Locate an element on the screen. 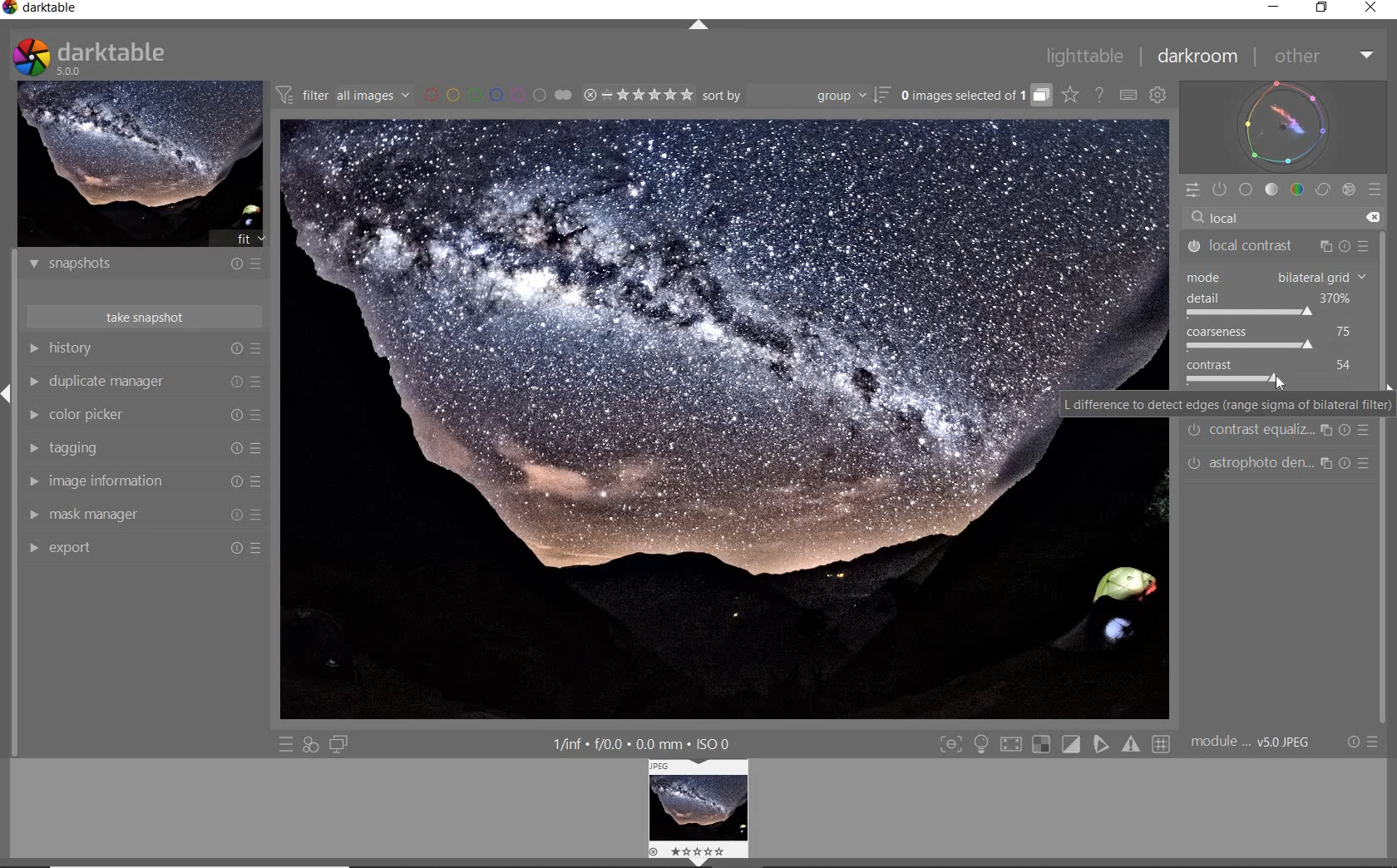 This screenshot has height=868, width=1397. multiple instance actions is located at coordinates (1327, 466).